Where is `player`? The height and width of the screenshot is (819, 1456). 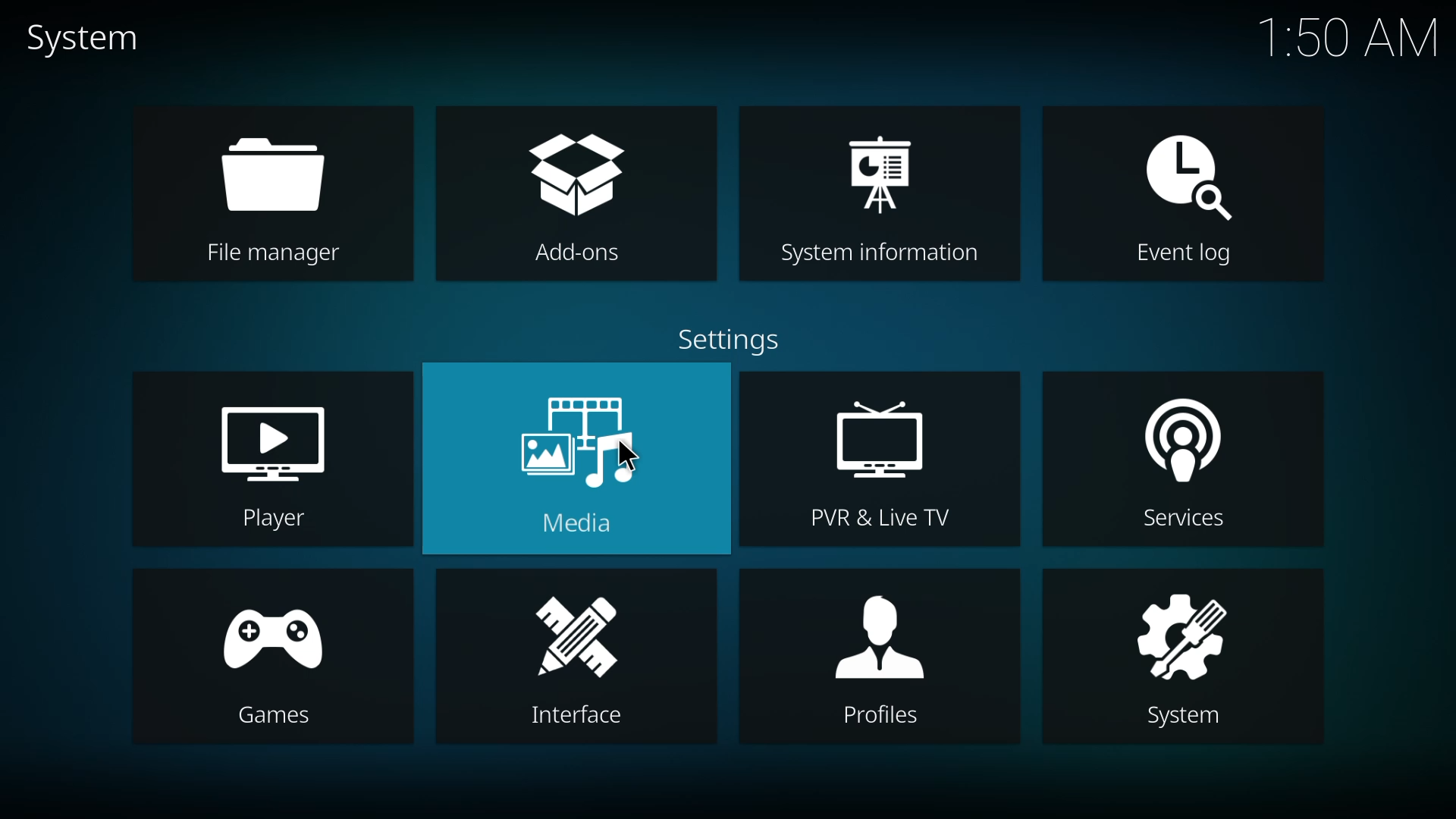
player is located at coordinates (275, 464).